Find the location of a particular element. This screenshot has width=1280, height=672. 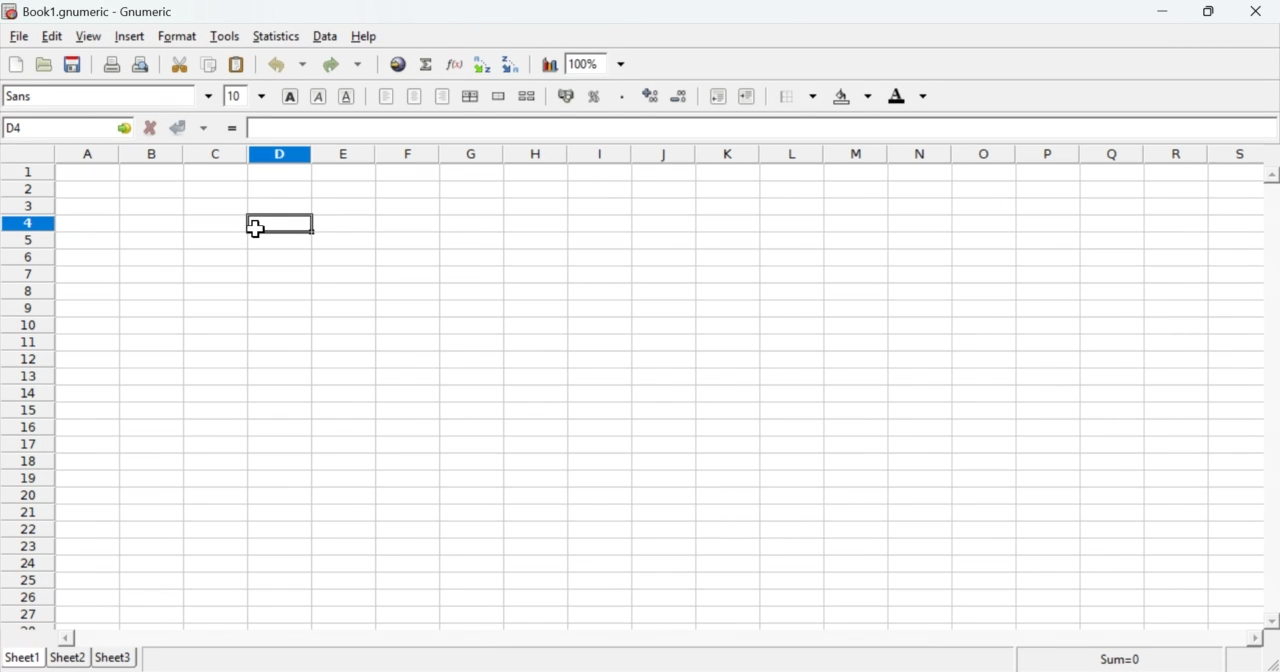

Active Cell is located at coordinates (70, 128).